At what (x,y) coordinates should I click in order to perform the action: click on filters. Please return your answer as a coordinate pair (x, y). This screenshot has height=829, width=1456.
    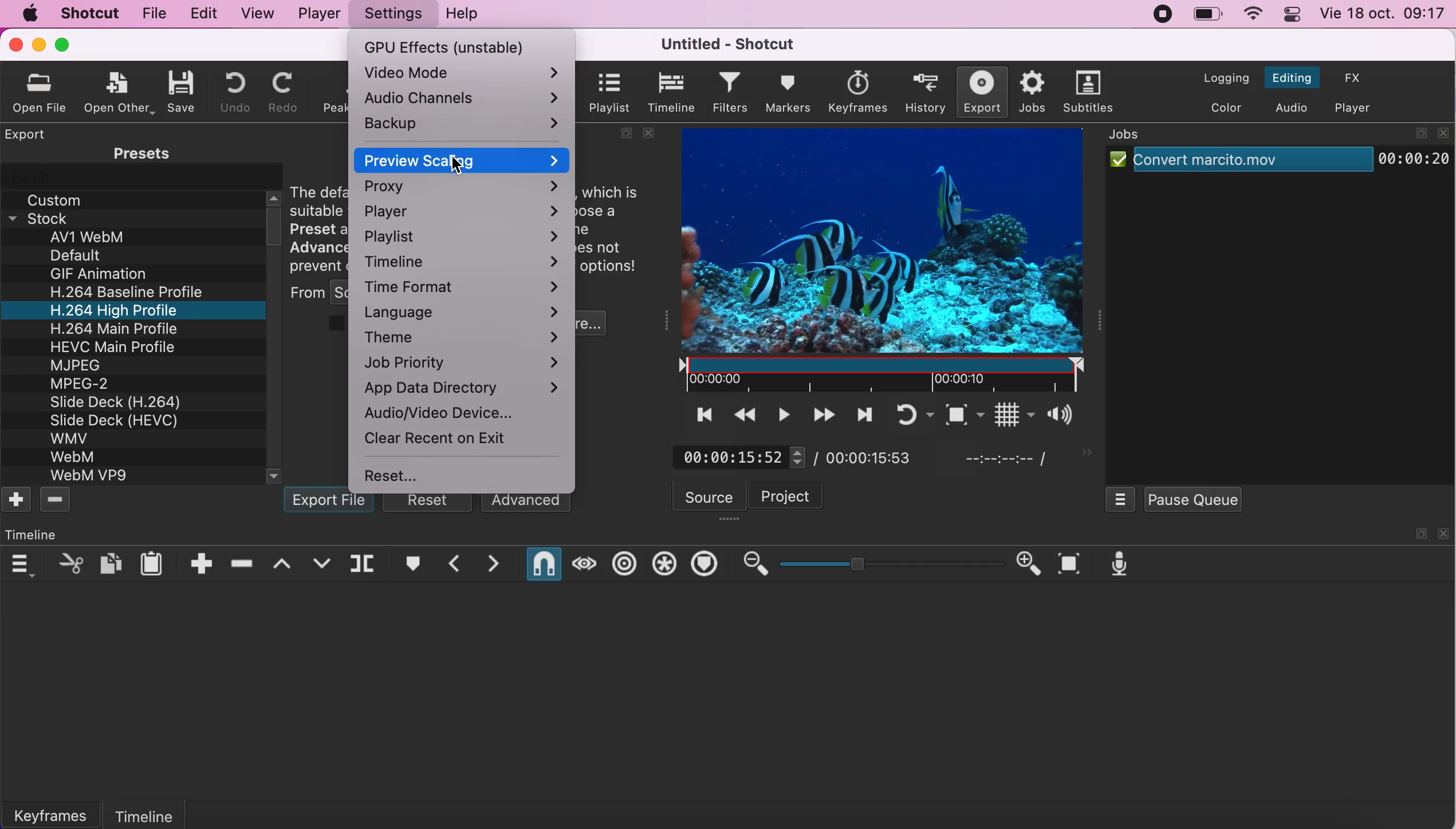
    Looking at the image, I should click on (731, 93).